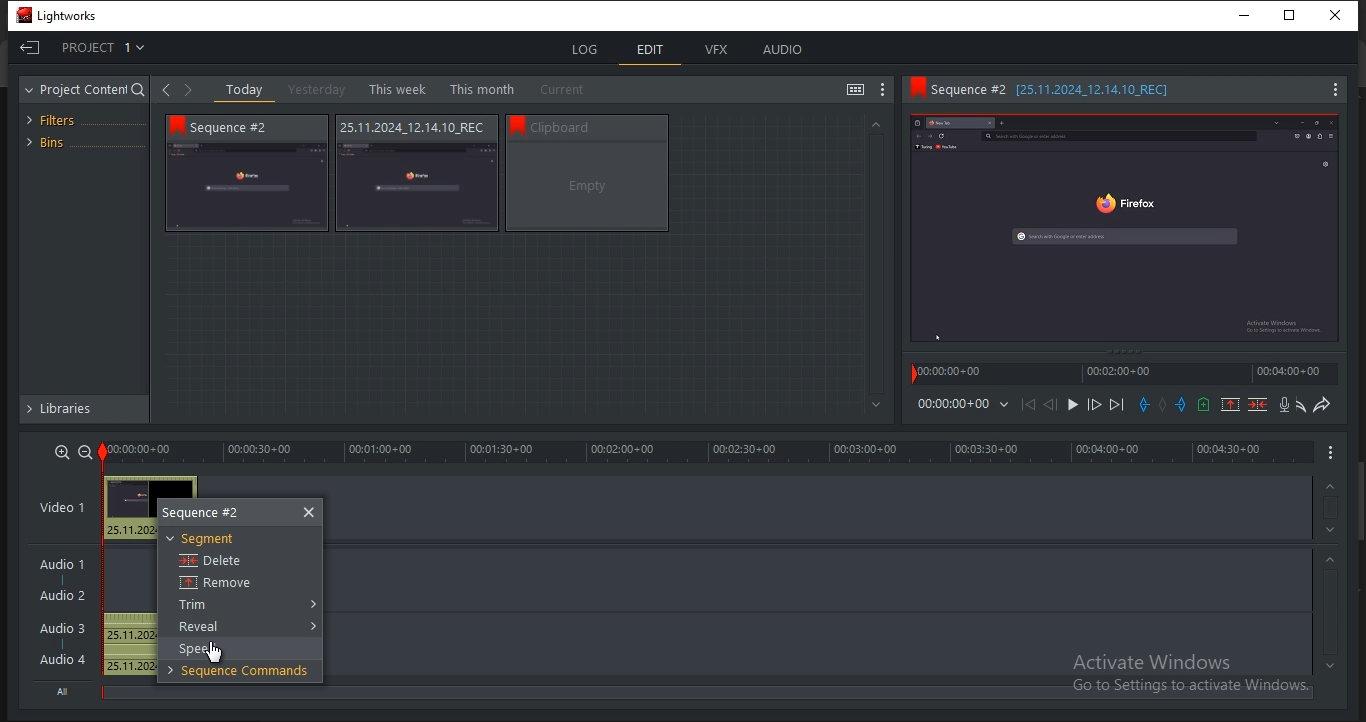  I want to click on Nudge one frame forward, so click(1094, 405).